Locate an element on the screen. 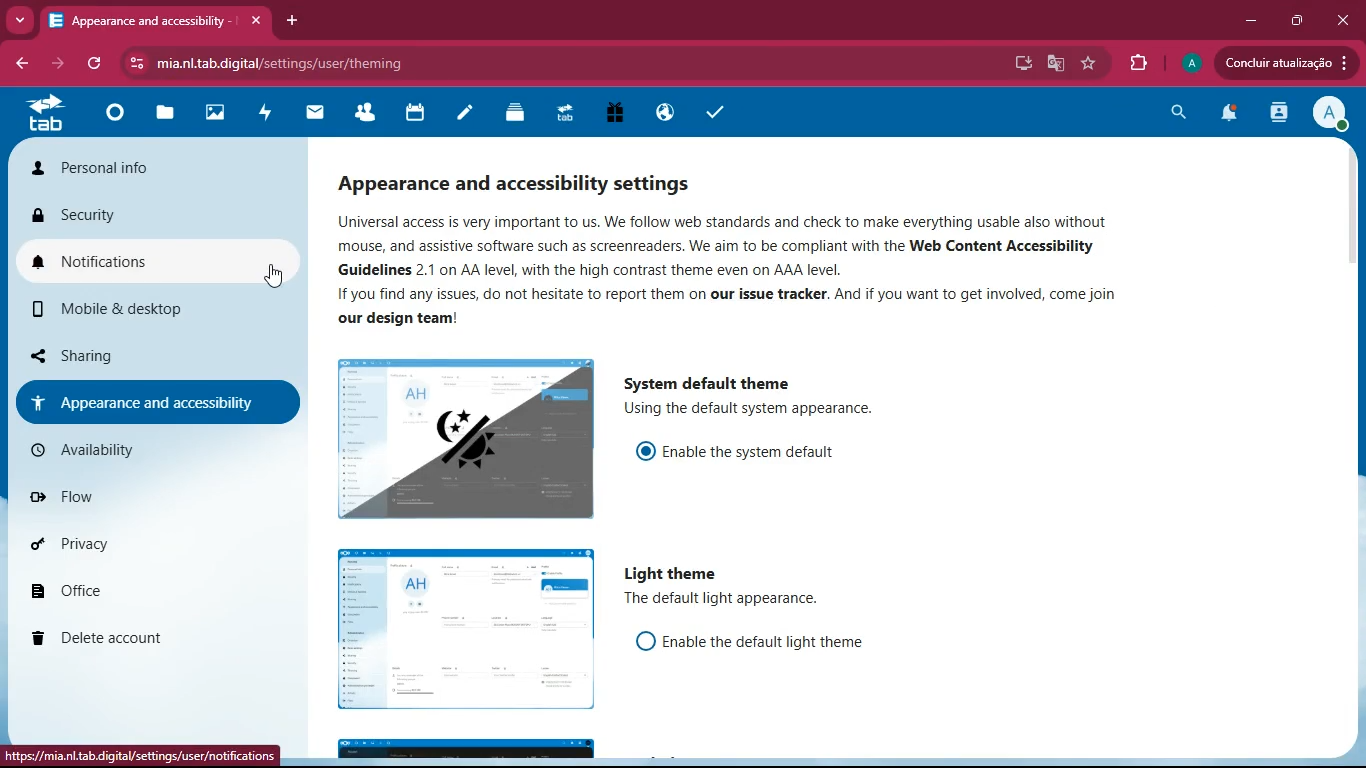  friends is located at coordinates (371, 115).